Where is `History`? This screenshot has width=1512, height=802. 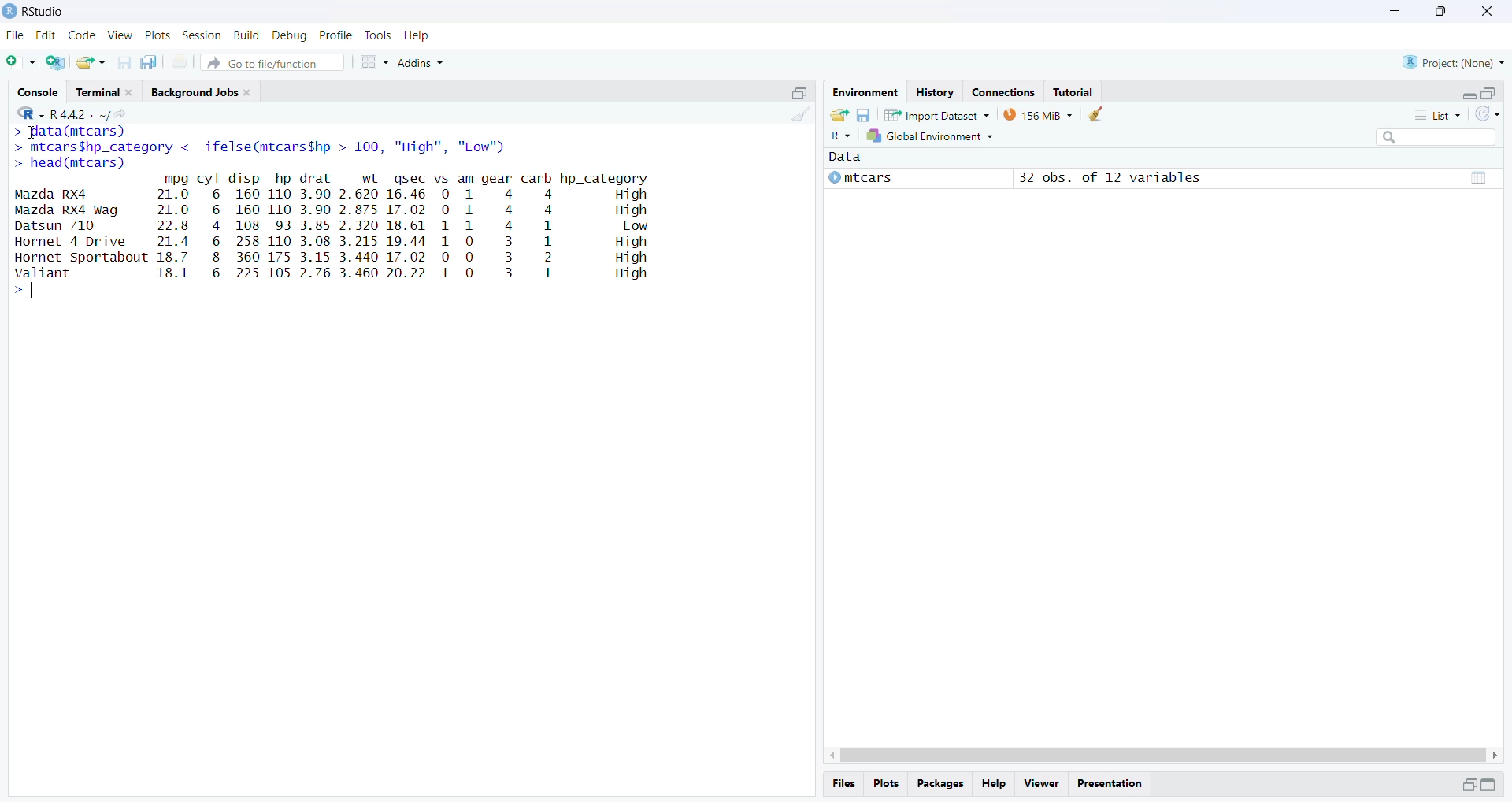
History is located at coordinates (933, 91).